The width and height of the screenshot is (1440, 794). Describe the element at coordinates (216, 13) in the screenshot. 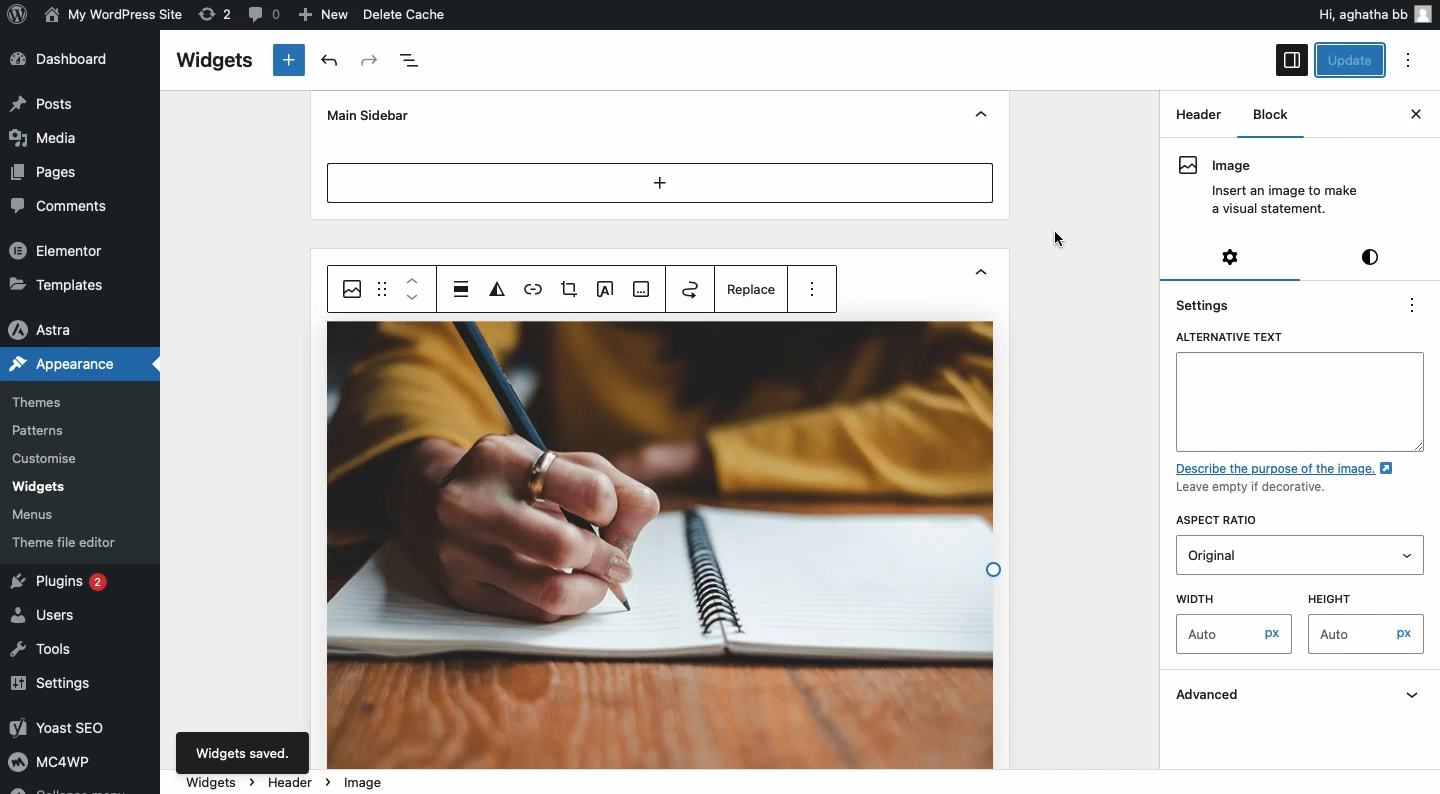

I see `Revision` at that location.